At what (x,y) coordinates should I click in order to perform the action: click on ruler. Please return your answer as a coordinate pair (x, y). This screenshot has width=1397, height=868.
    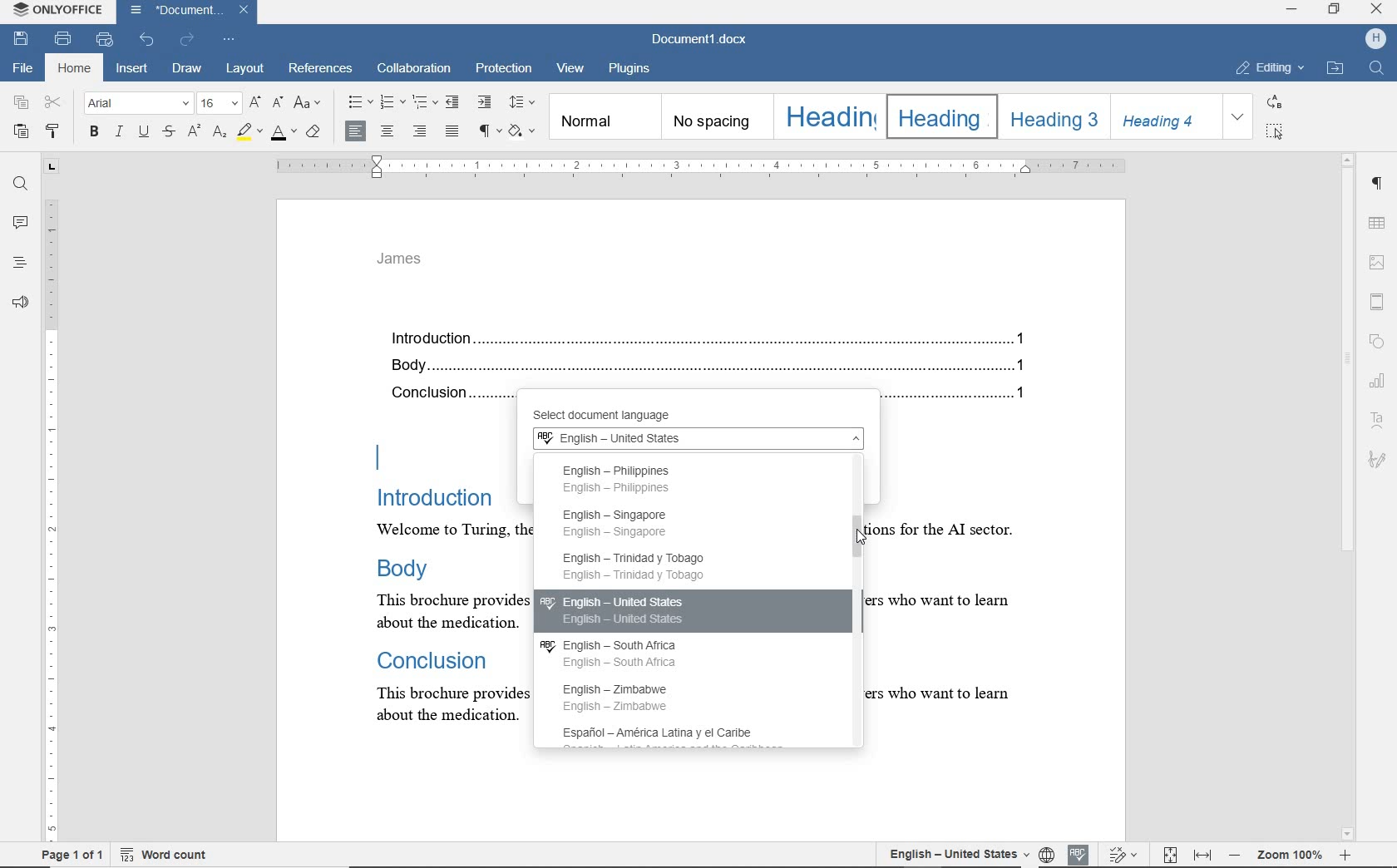
    Looking at the image, I should click on (52, 504).